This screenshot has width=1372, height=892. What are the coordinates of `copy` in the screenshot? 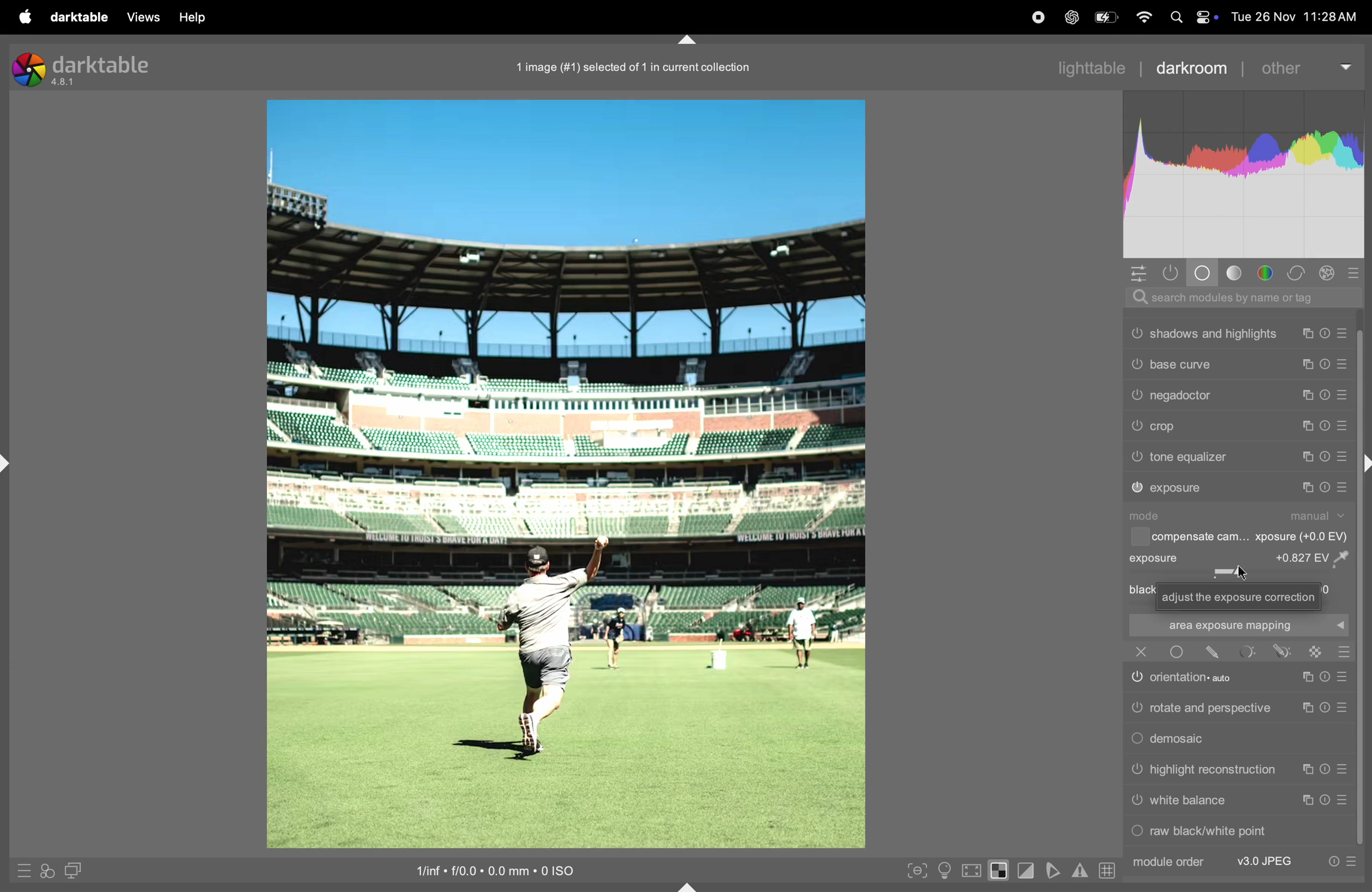 It's located at (1305, 709).